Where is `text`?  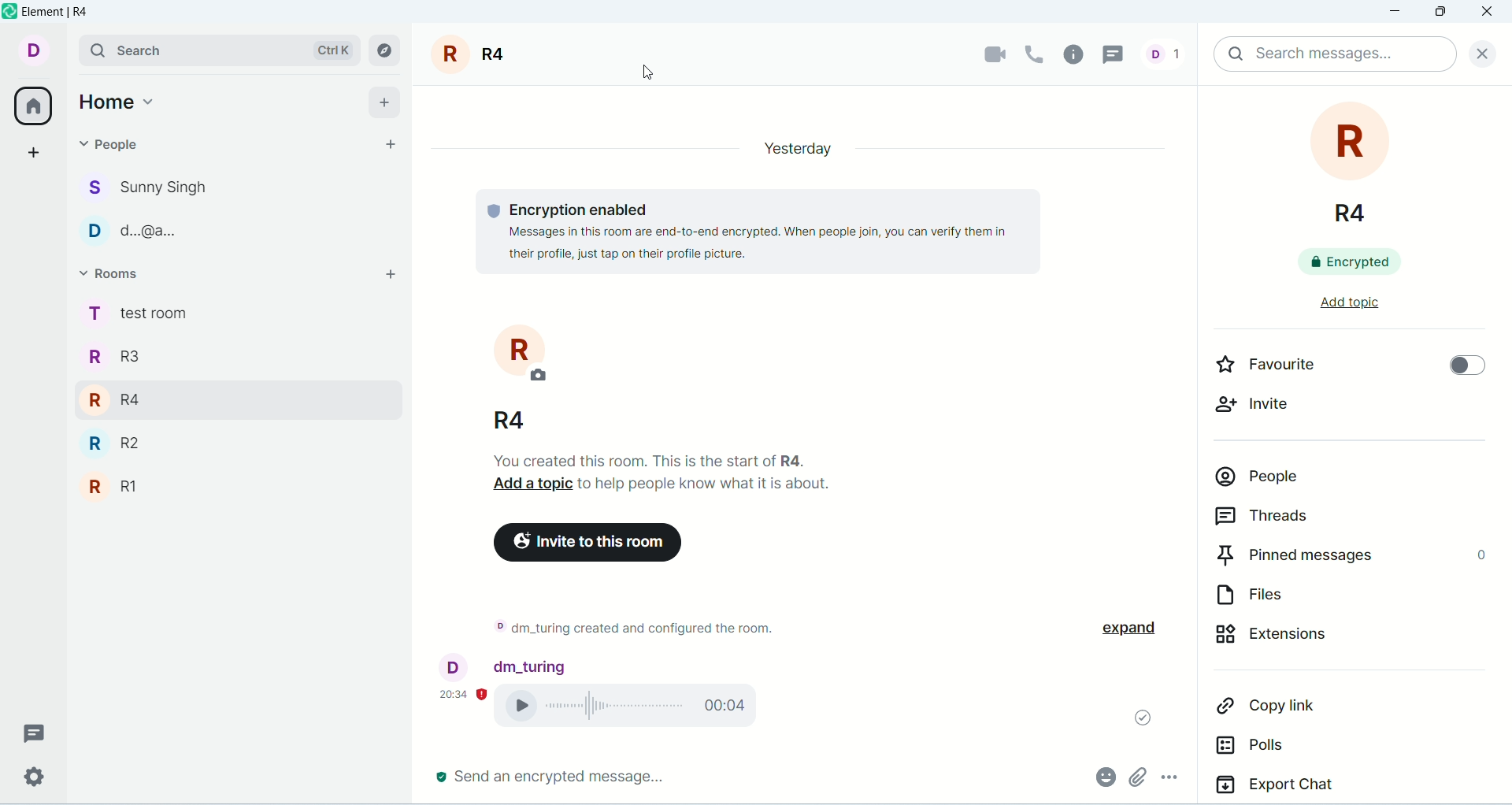 text is located at coordinates (632, 631).